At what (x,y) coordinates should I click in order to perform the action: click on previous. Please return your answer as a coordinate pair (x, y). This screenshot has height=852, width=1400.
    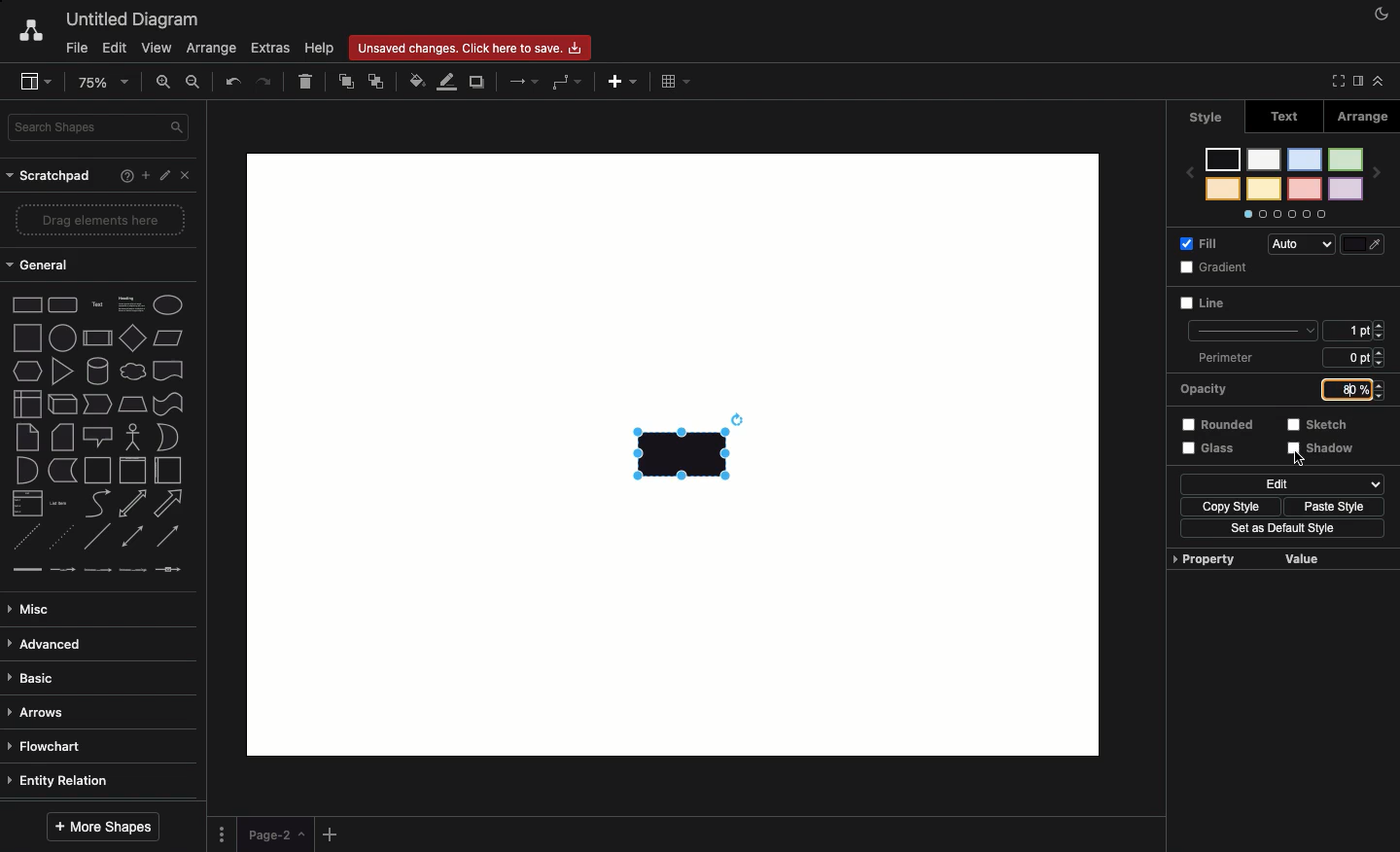
    Looking at the image, I should click on (1188, 171).